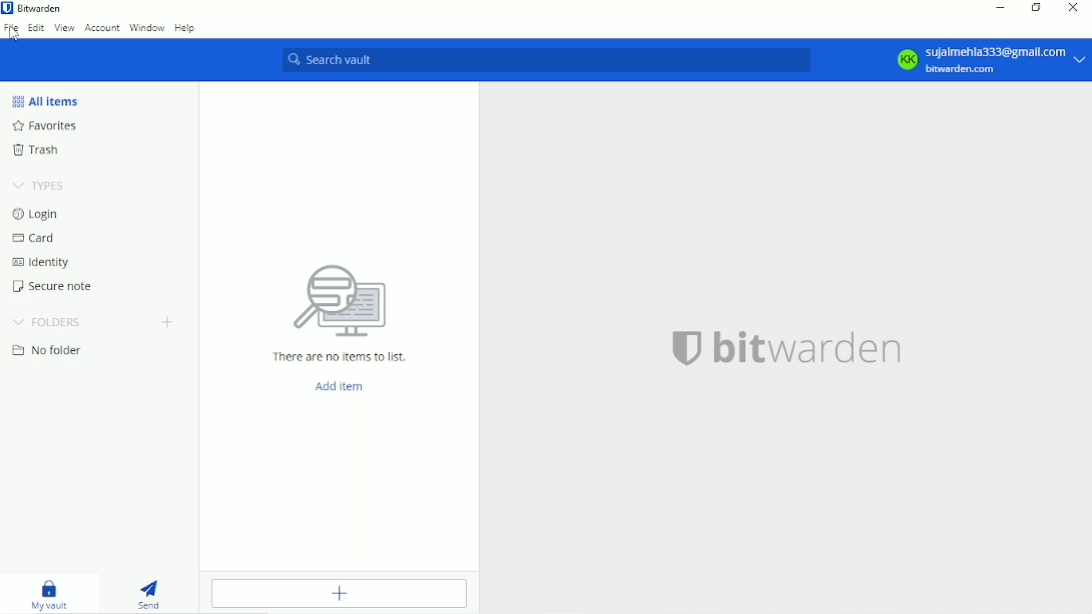 The image size is (1092, 614). I want to click on View, so click(64, 30).